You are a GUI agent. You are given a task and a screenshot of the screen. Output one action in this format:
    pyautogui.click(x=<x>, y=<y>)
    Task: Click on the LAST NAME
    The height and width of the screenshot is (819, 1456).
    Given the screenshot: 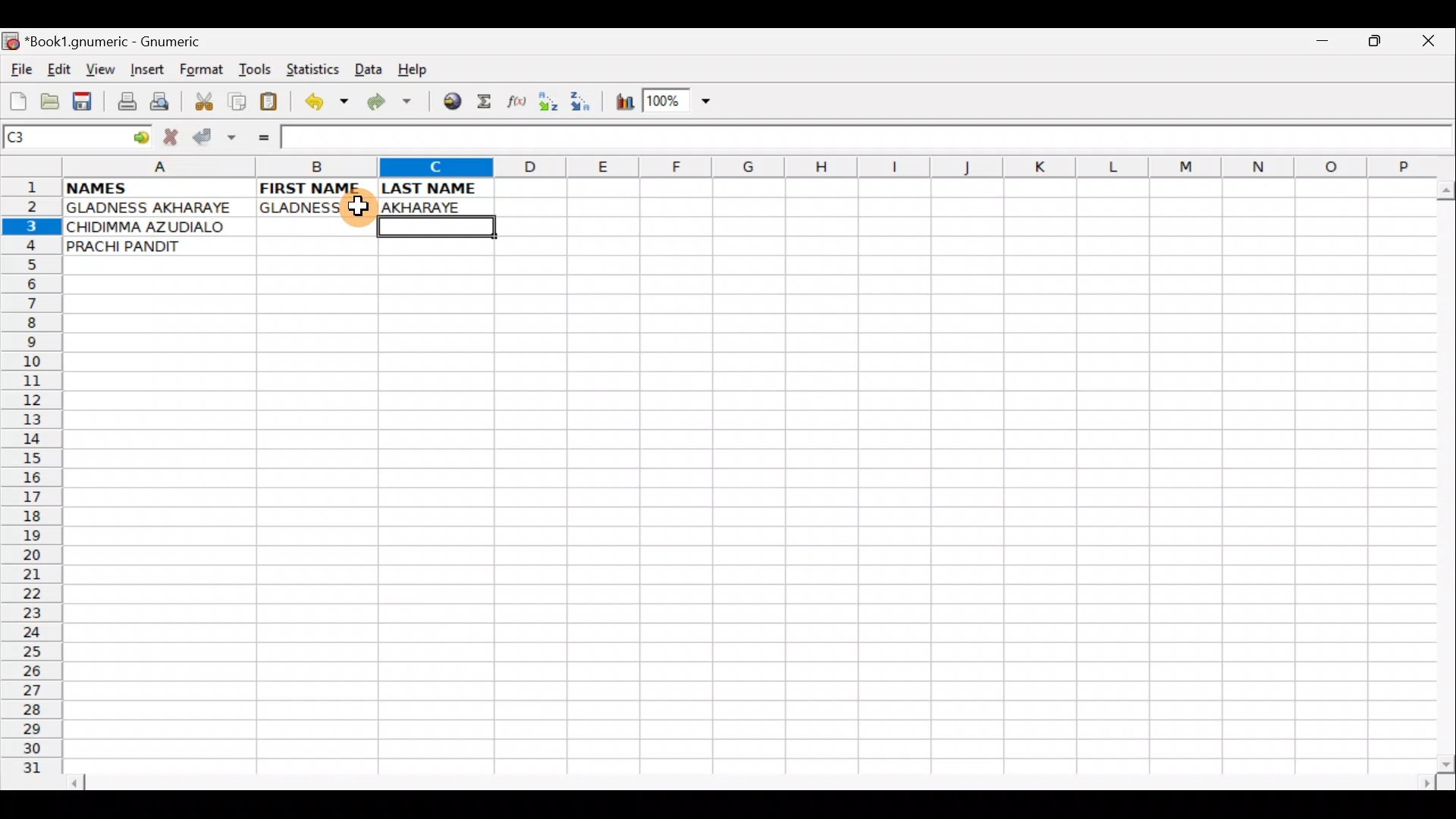 What is the action you would take?
    pyautogui.click(x=437, y=188)
    